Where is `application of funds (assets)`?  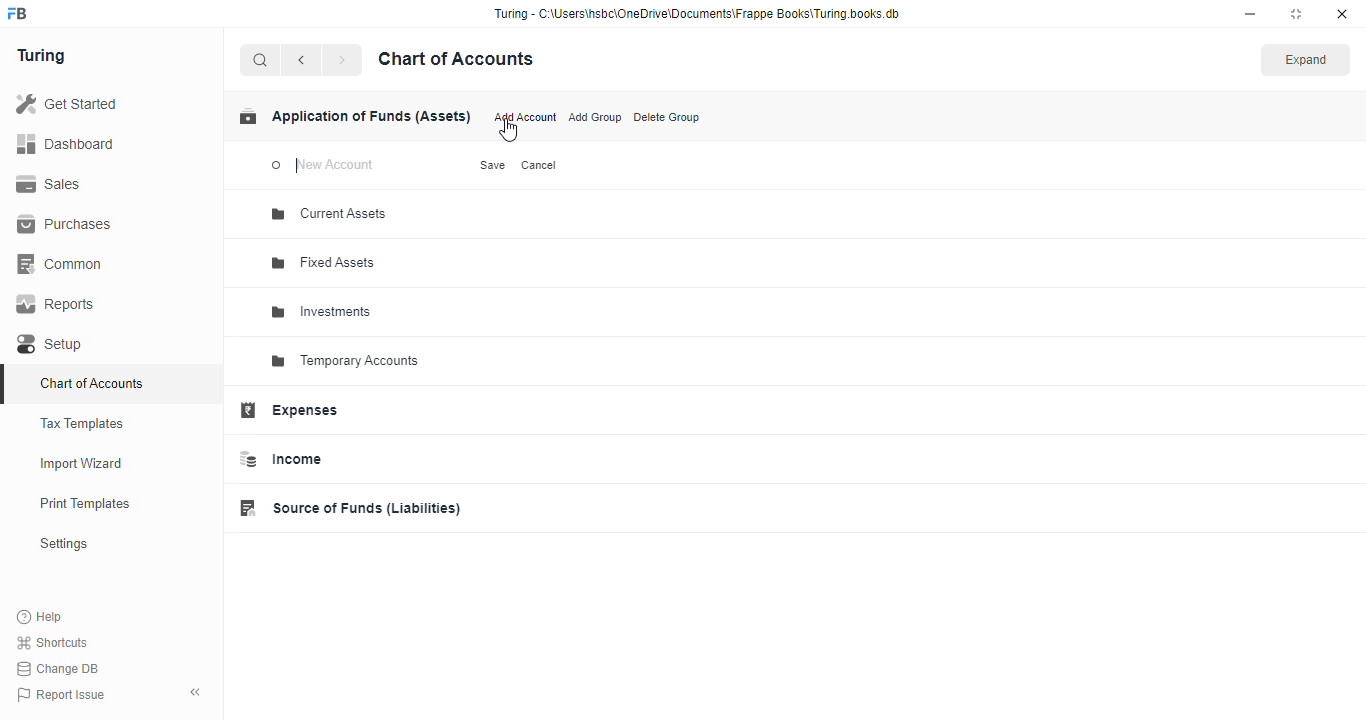 application of funds (assets) is located at coordinates (355, 116).